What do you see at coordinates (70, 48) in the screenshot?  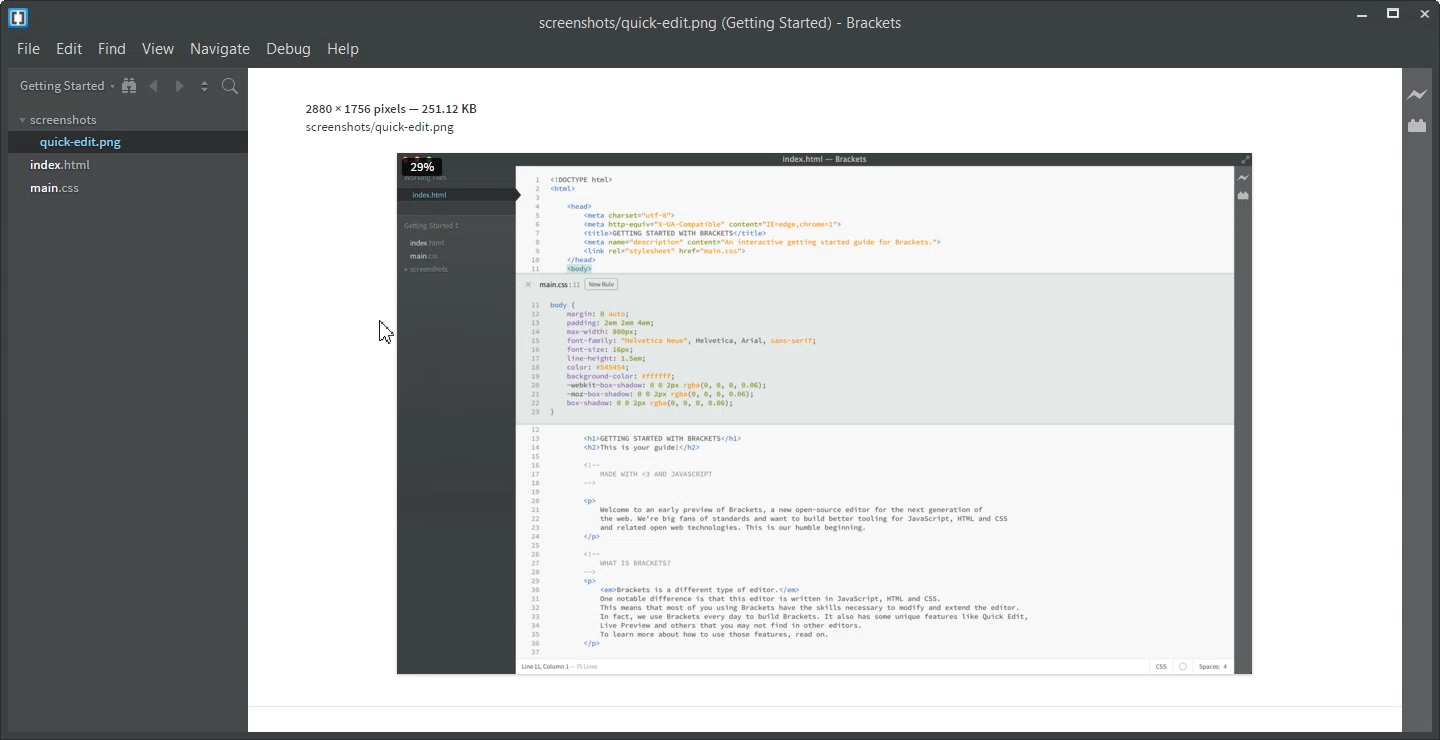 I see `Edit` at bounding box center [70, 48].